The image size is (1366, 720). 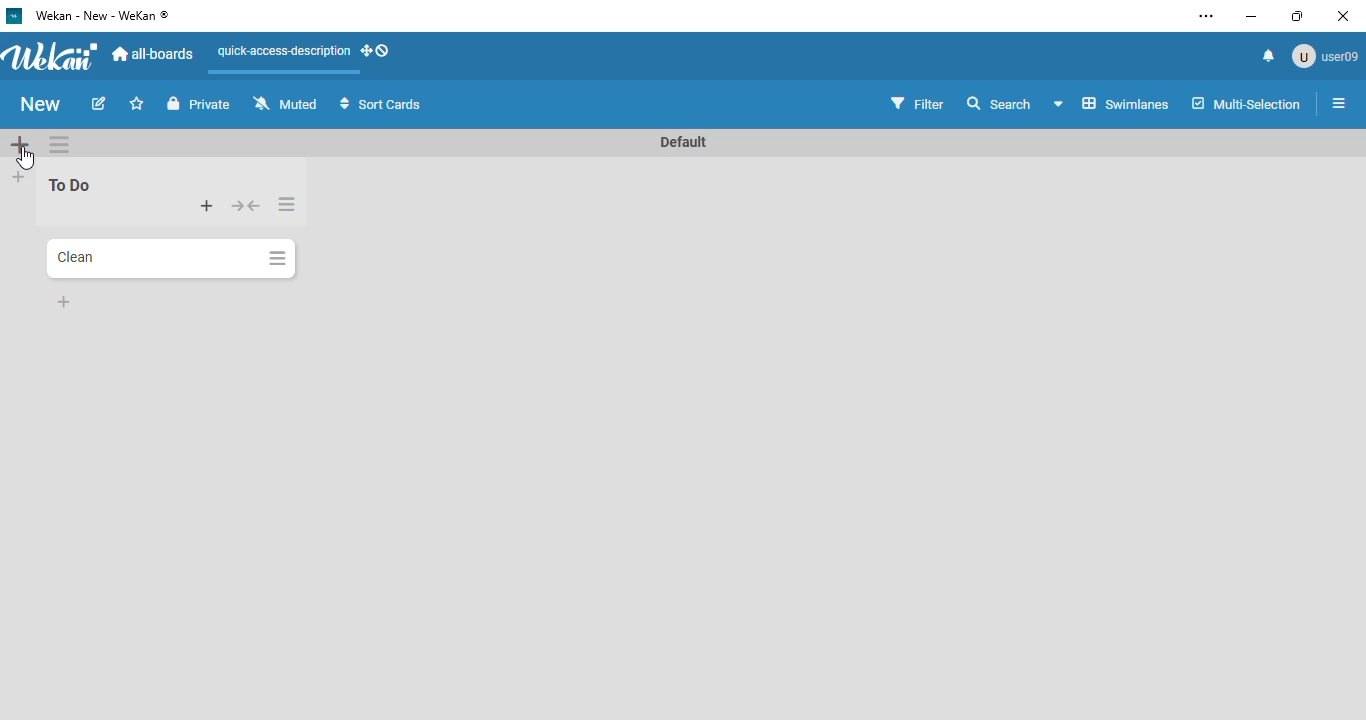 I want to click on board name, so click(x=40, y=103).